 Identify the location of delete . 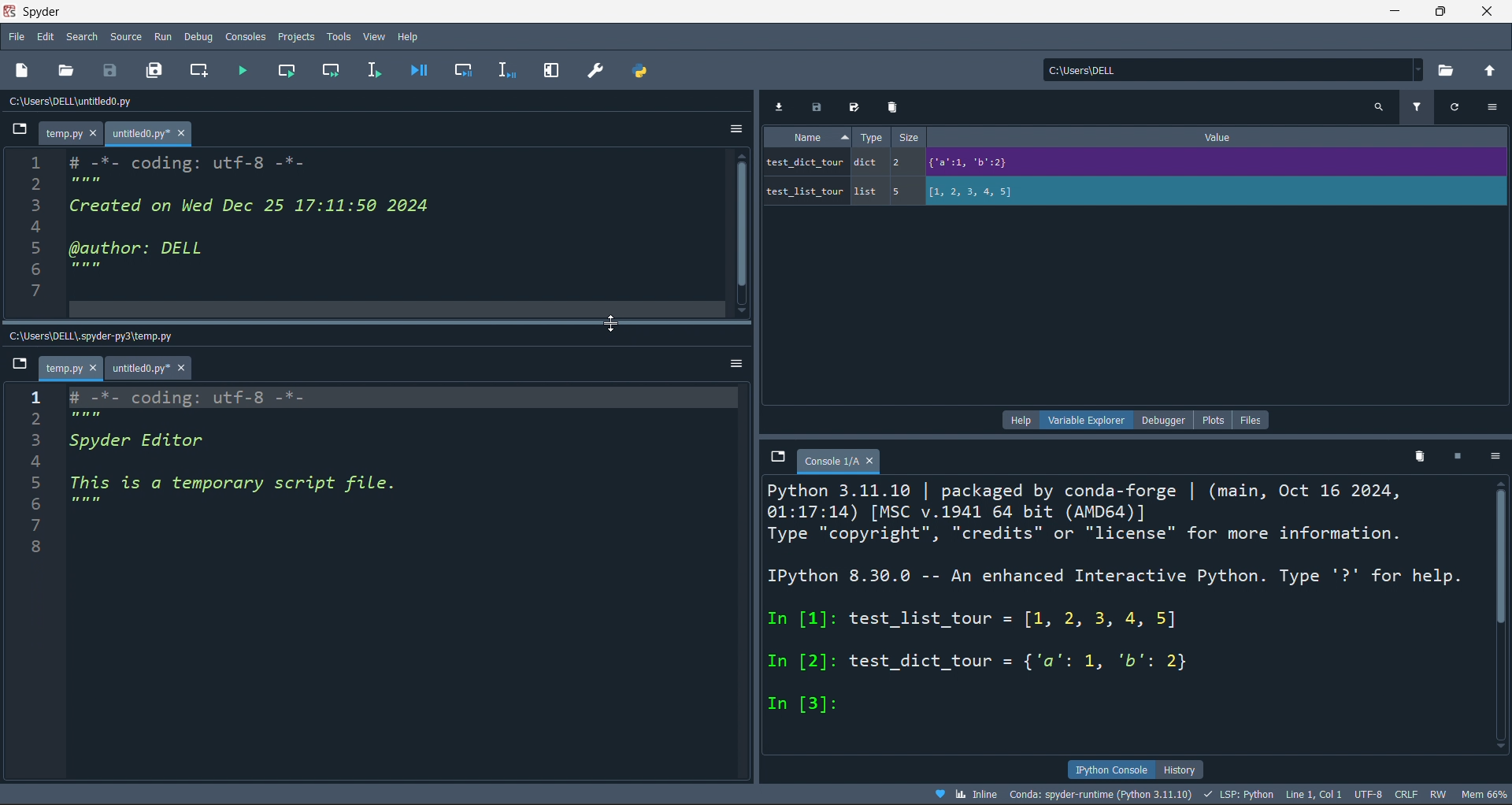
(891, 107).